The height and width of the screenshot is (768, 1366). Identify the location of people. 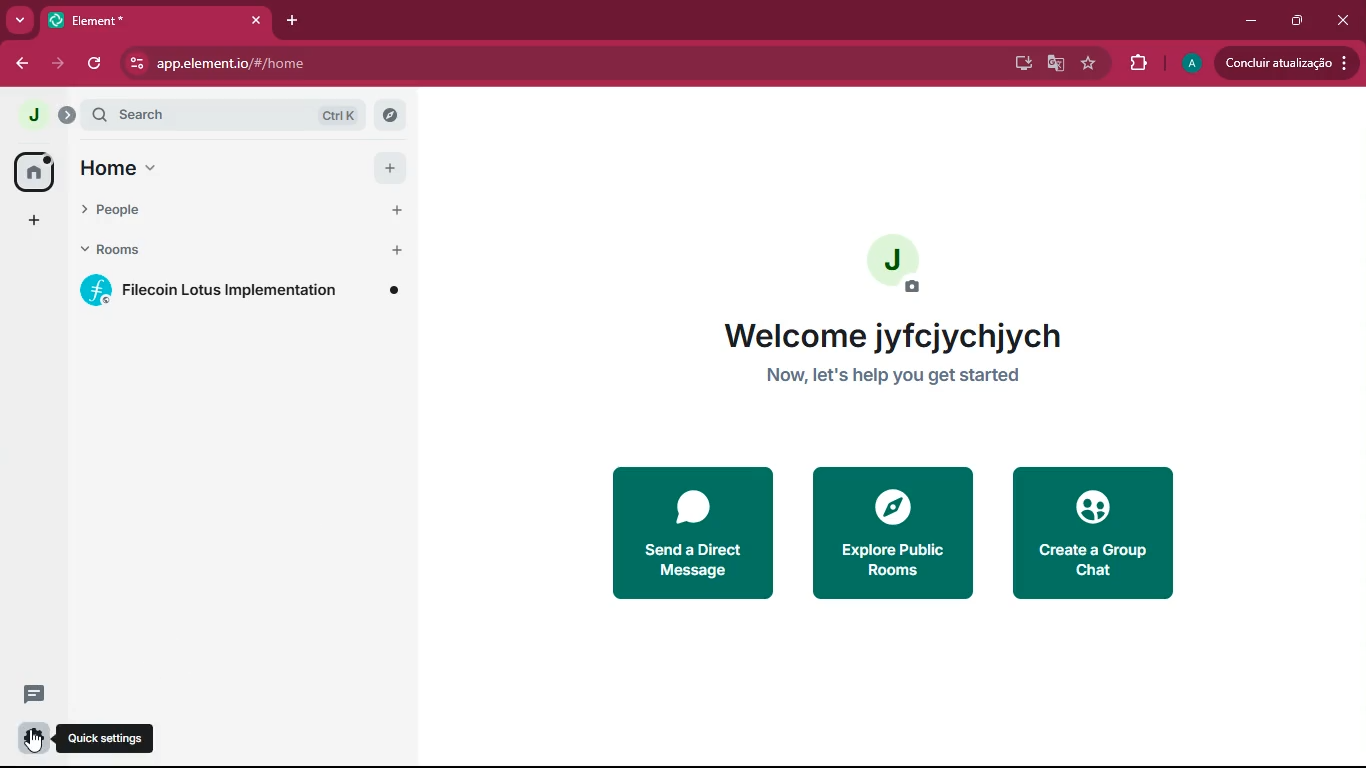
(190, 211).